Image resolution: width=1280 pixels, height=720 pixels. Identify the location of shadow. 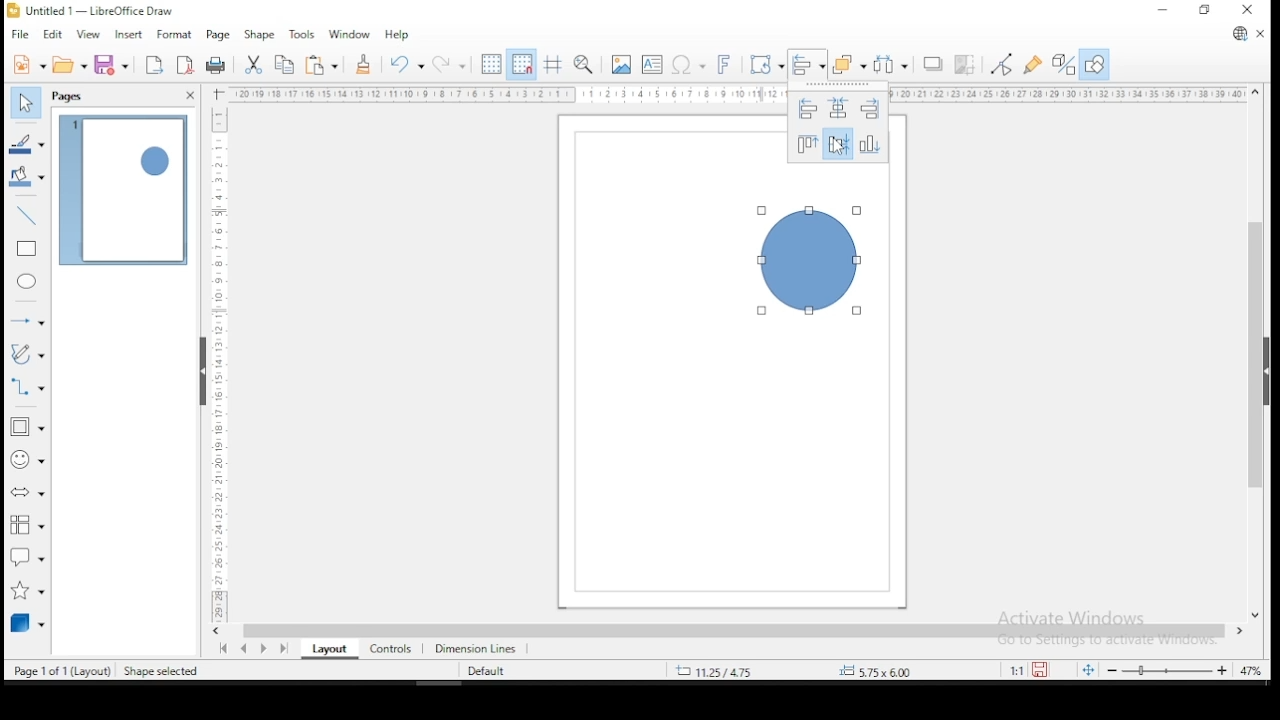
(933, 65).